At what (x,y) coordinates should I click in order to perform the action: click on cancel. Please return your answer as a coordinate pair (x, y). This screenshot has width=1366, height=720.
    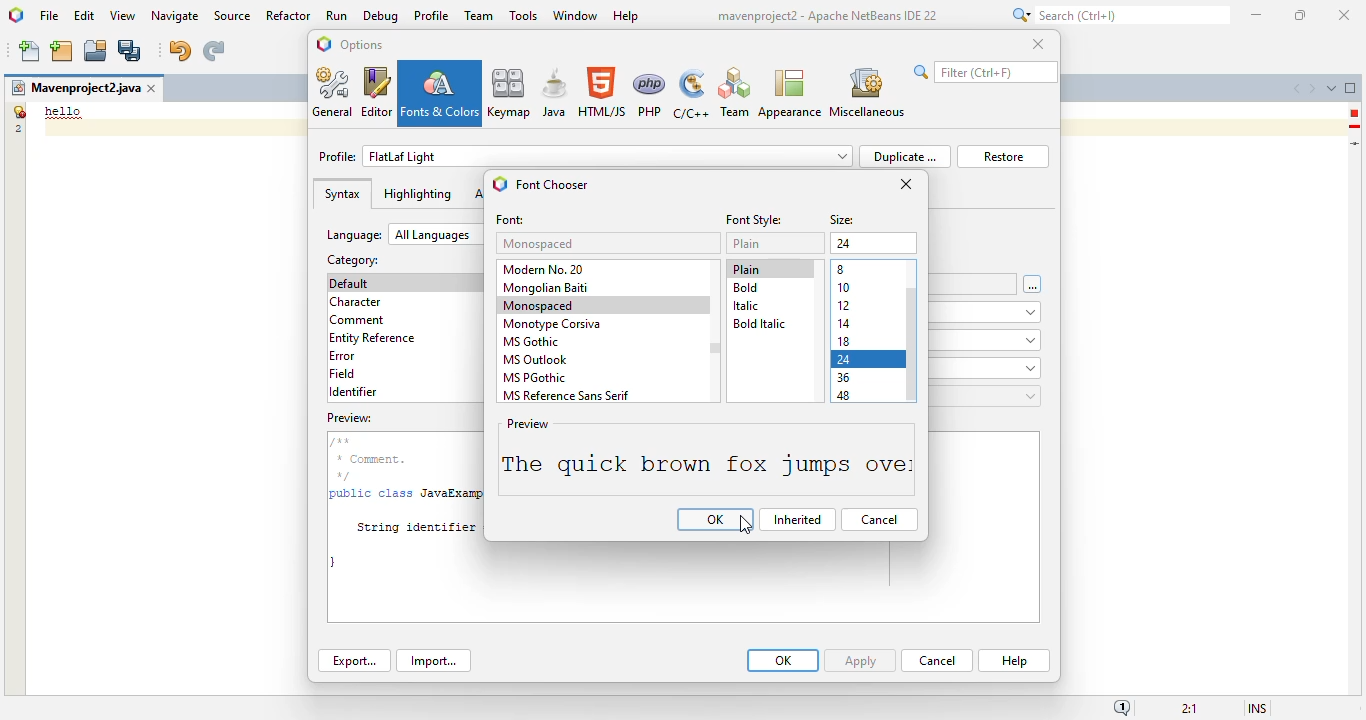
    Looking at the image, I should click on (937, 661).